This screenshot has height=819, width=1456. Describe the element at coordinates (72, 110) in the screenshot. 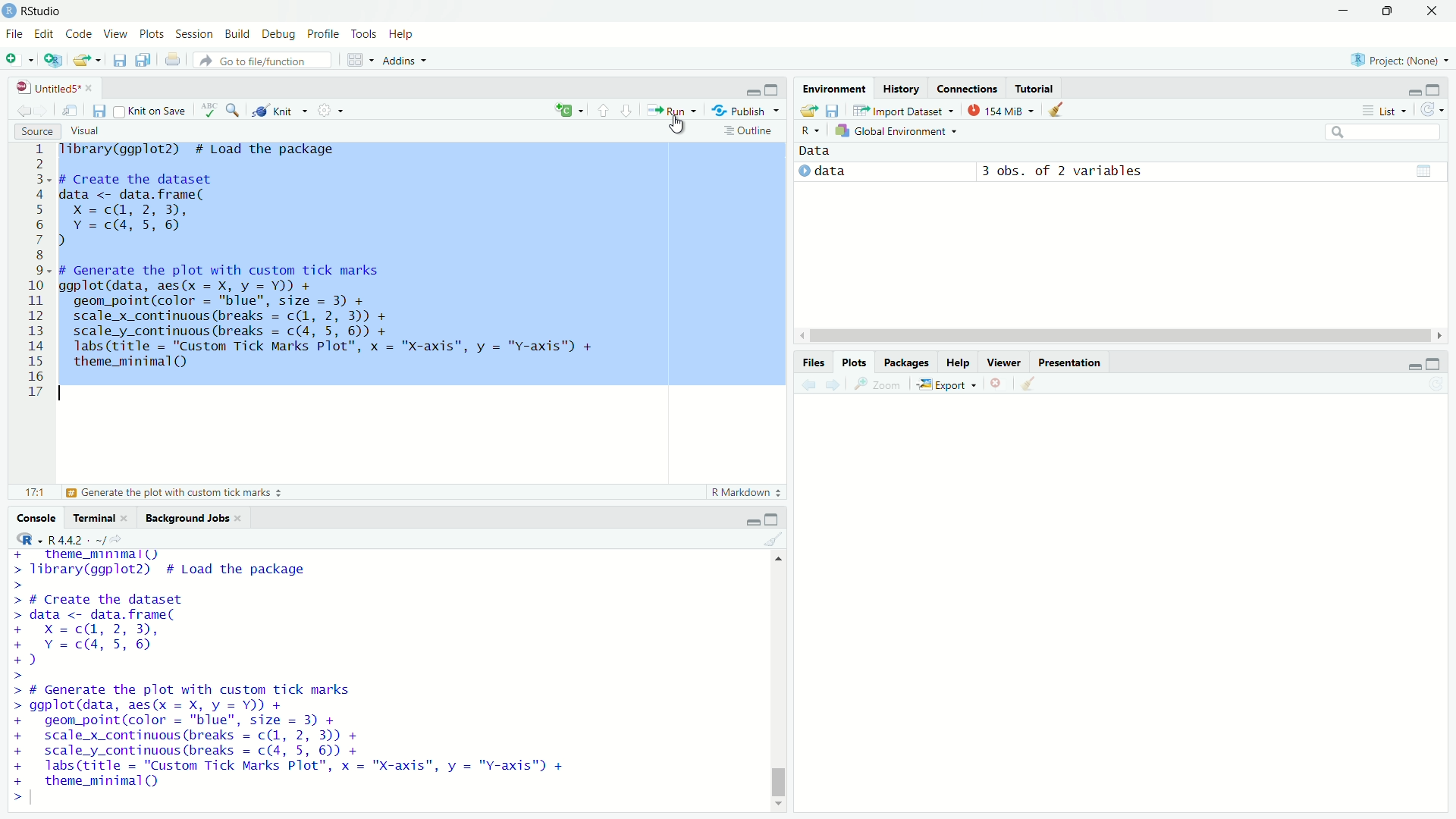

I see `show in new window` at that location.